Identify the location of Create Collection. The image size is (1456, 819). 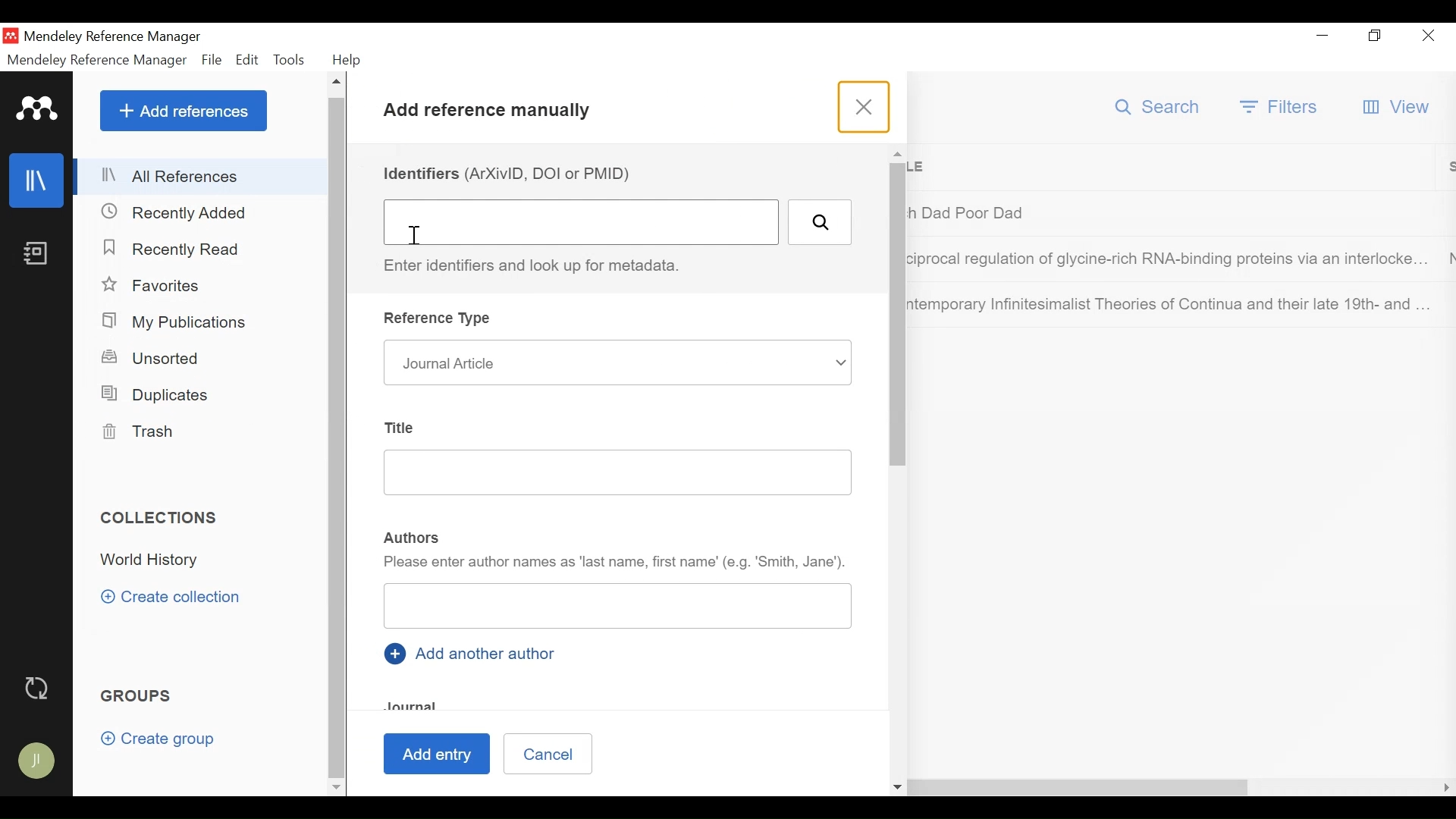
(176, 597).